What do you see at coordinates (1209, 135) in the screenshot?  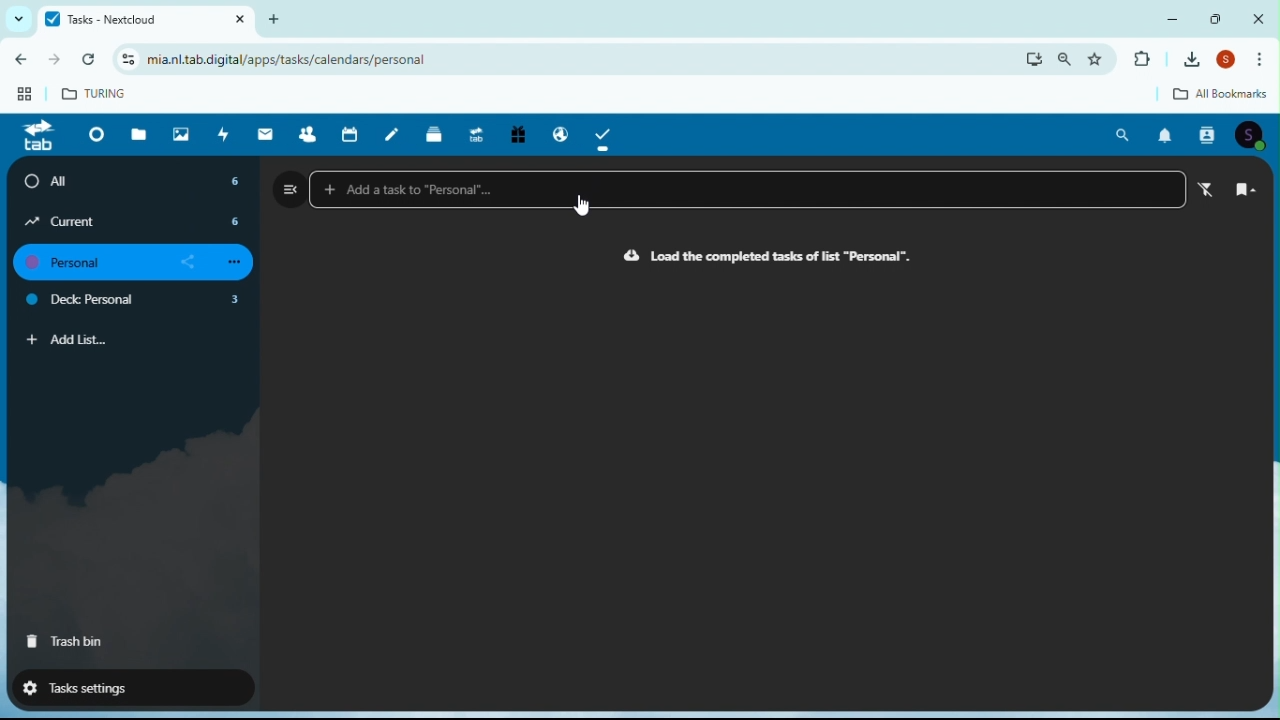 I see `Contacts` at bounding box center [1209, 135].